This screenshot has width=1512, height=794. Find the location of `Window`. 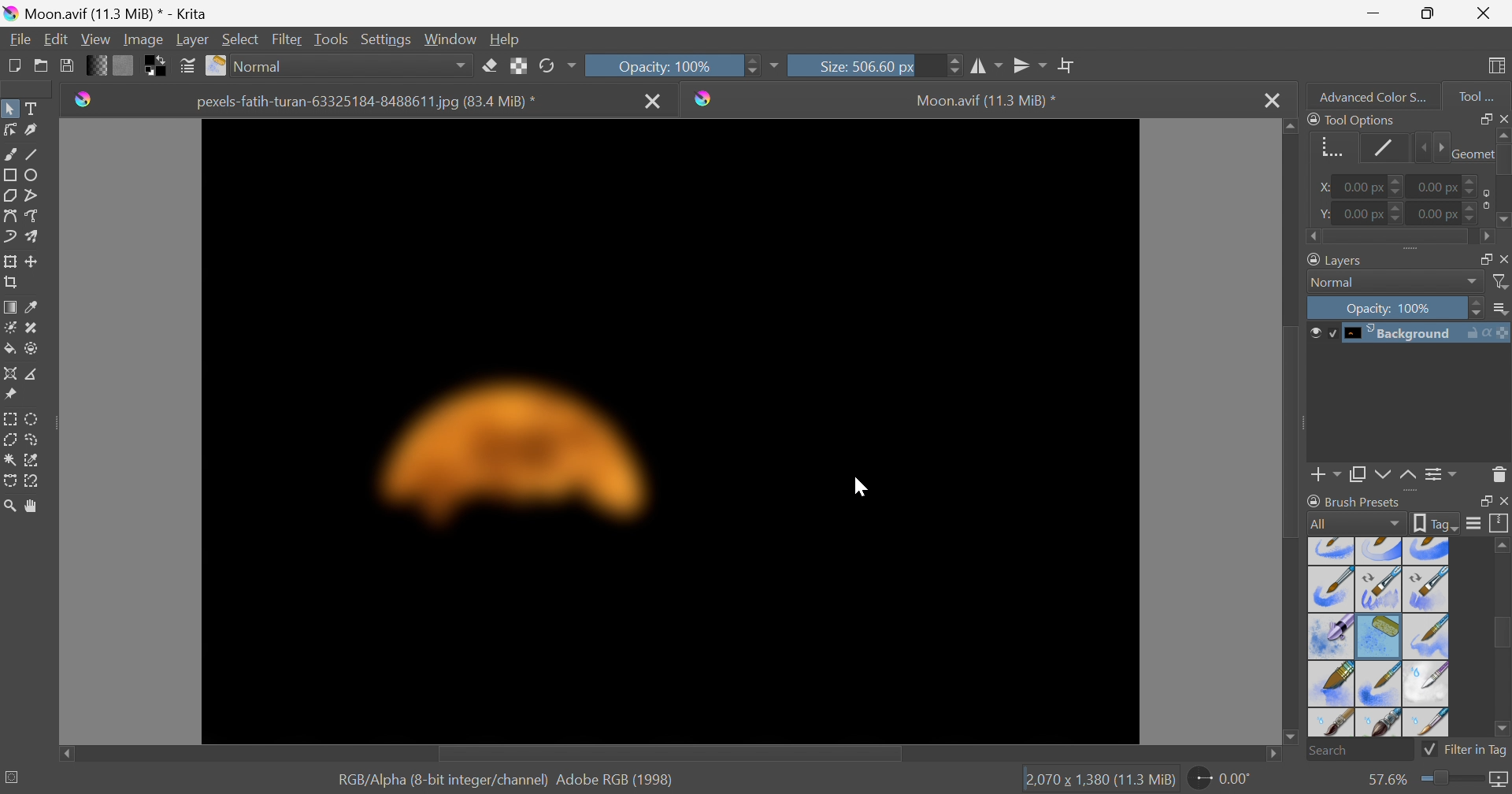

Window is located at coordinates (447, 40).